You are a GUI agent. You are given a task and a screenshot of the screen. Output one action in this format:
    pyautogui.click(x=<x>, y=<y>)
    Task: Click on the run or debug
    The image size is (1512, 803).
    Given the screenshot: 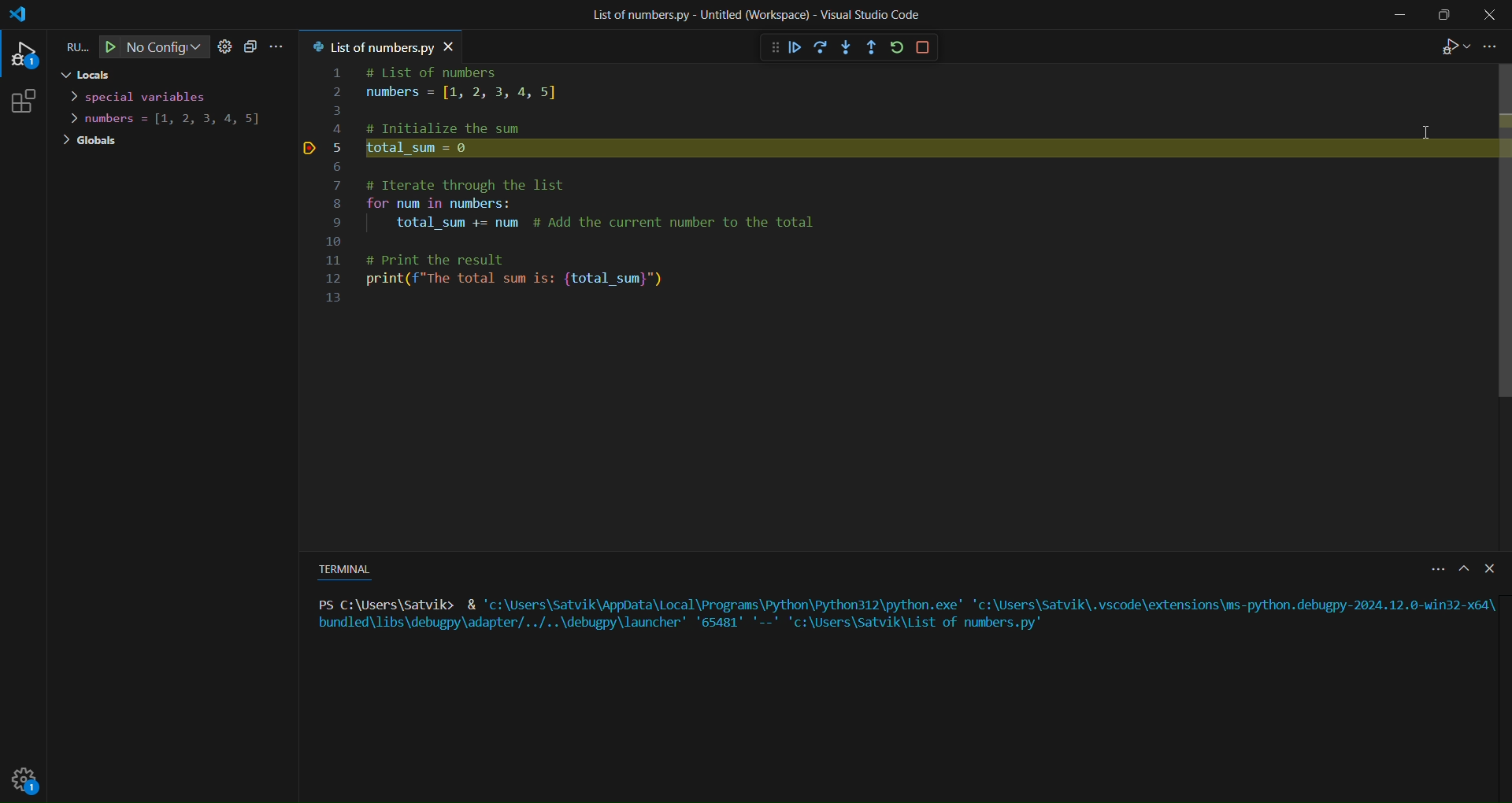 What is the action you would take?
    pyautogui.click(x=72, y=47)
    